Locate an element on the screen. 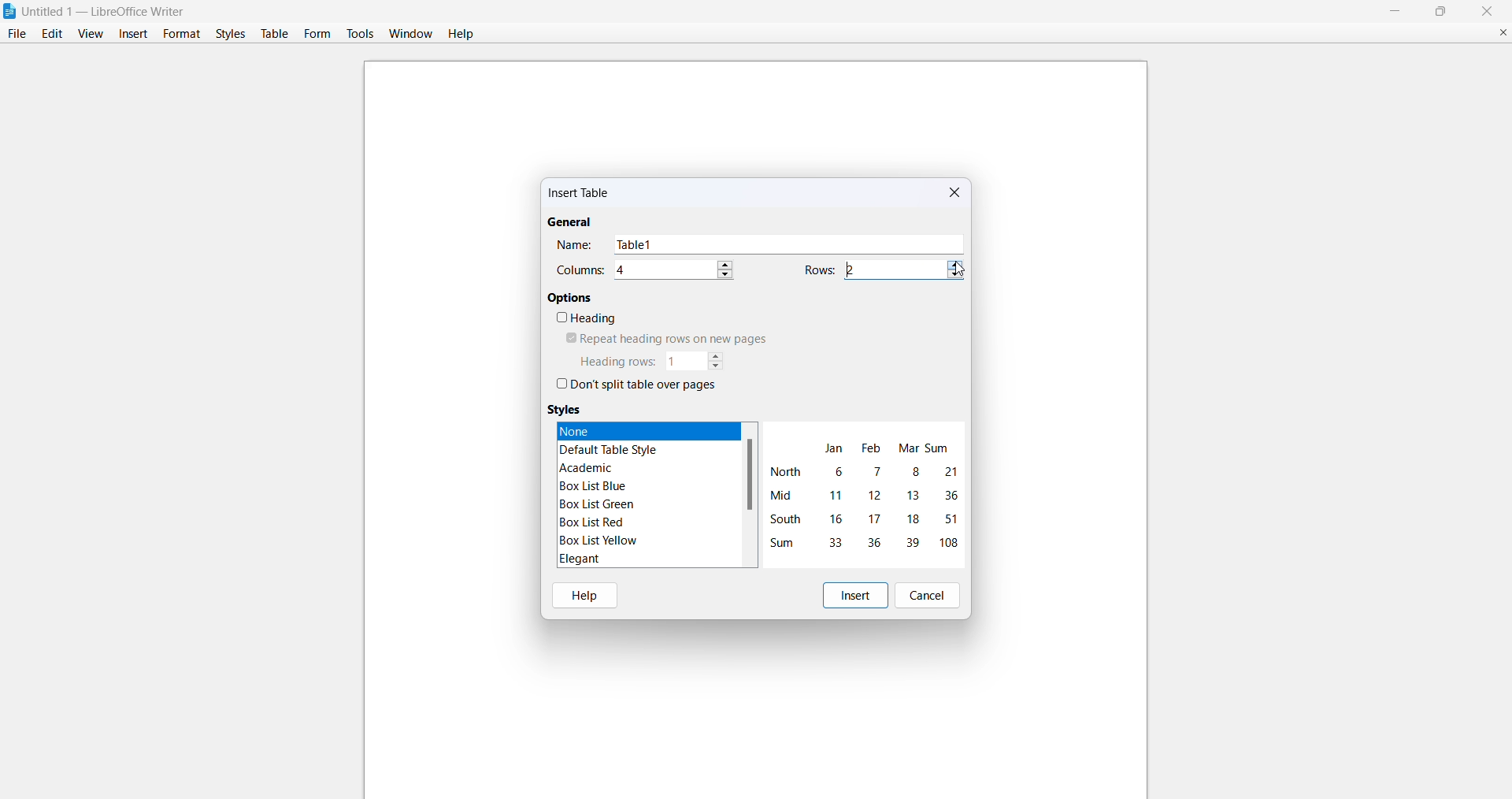 The width and height of the screenshot is (1512, 799). table is located at coordinates (274, 34).